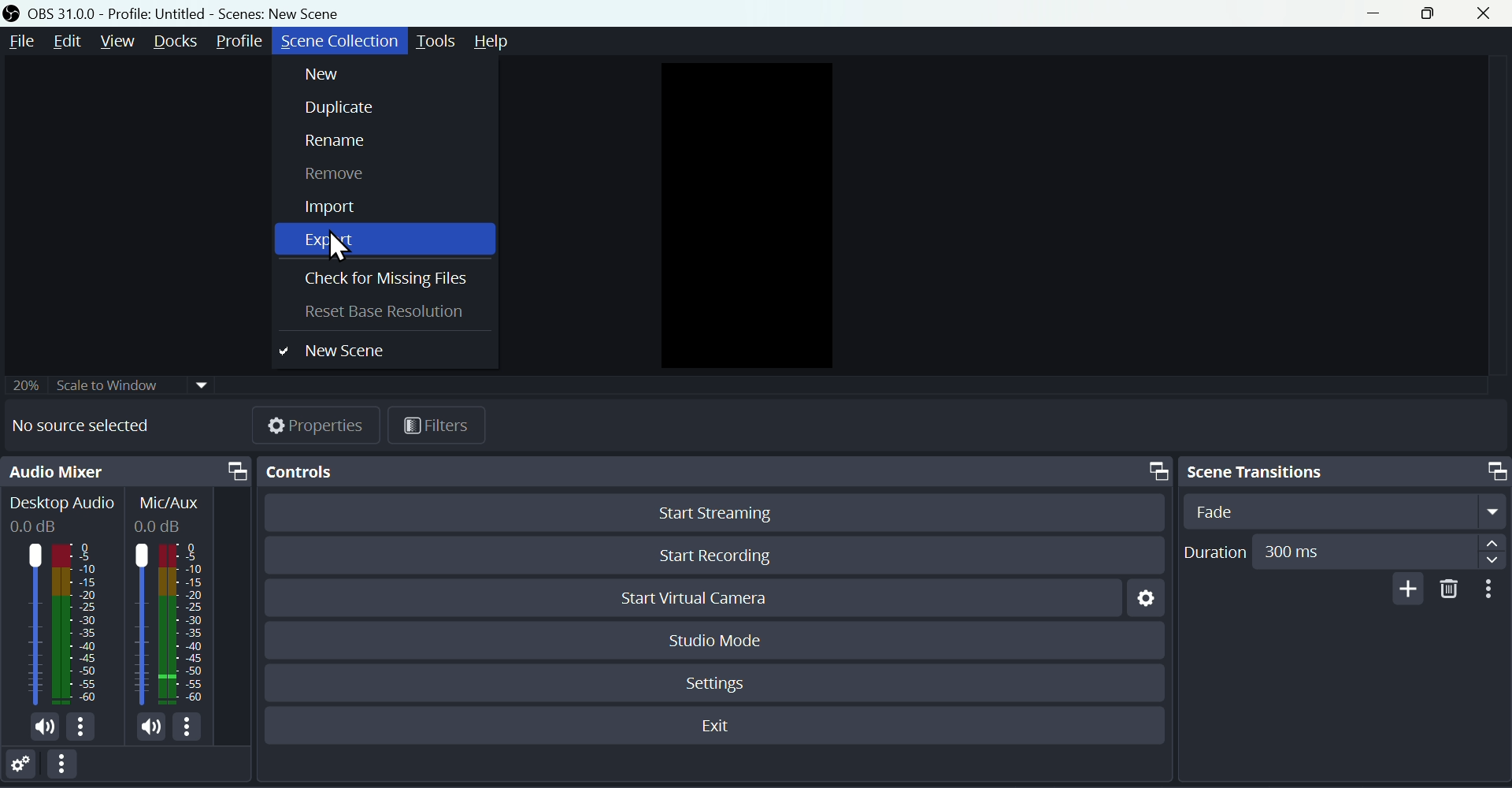 This screenshot has height=788, width=1512. I want to click on Profile, so click(243, 40).